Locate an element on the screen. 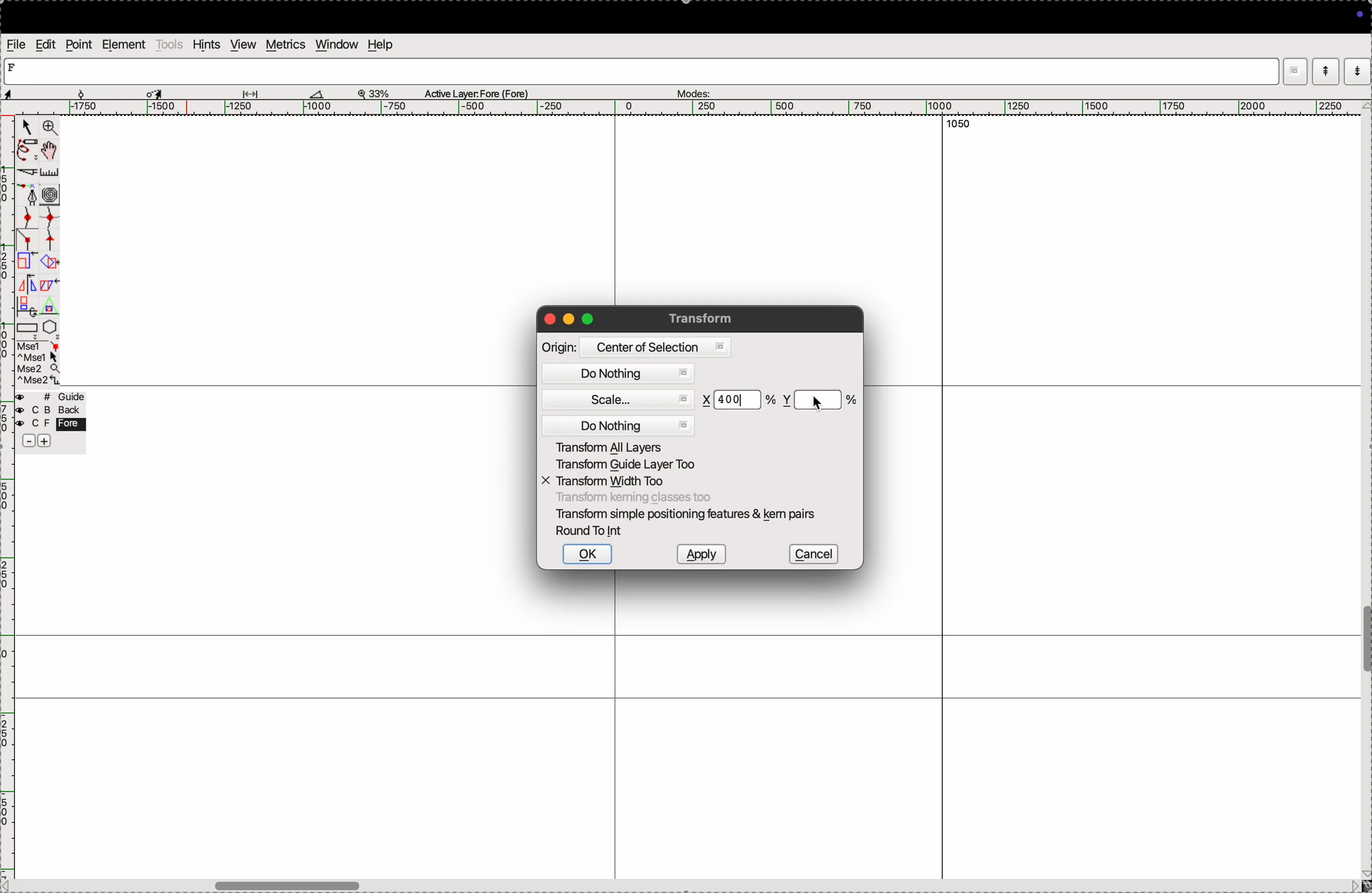  hints is located at coordinates (207, 44).